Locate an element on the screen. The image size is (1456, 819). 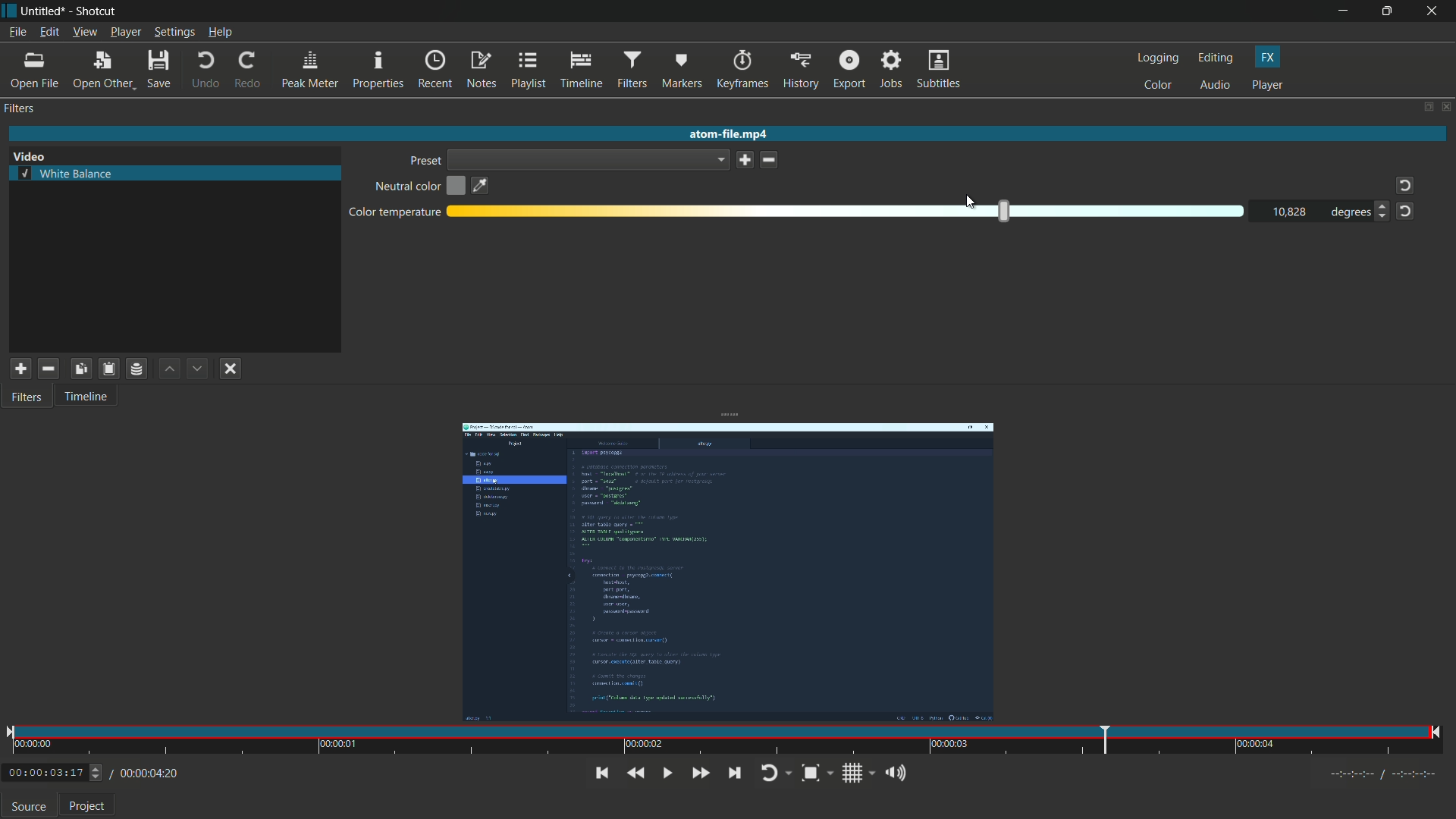
untitled (file name) is located at coordinates (43, 11).